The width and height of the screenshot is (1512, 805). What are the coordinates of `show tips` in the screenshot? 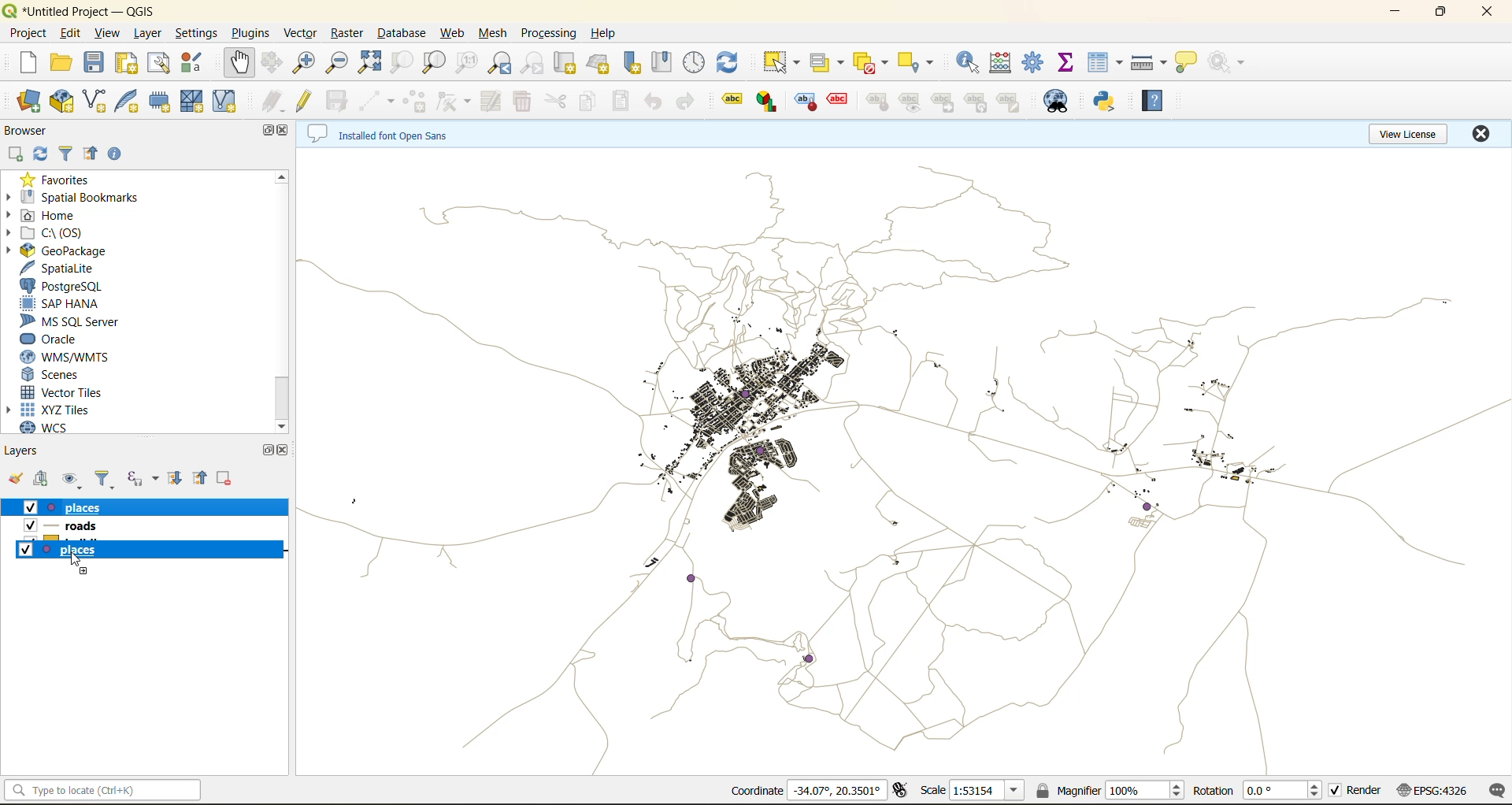 It's located at (1189, 65).